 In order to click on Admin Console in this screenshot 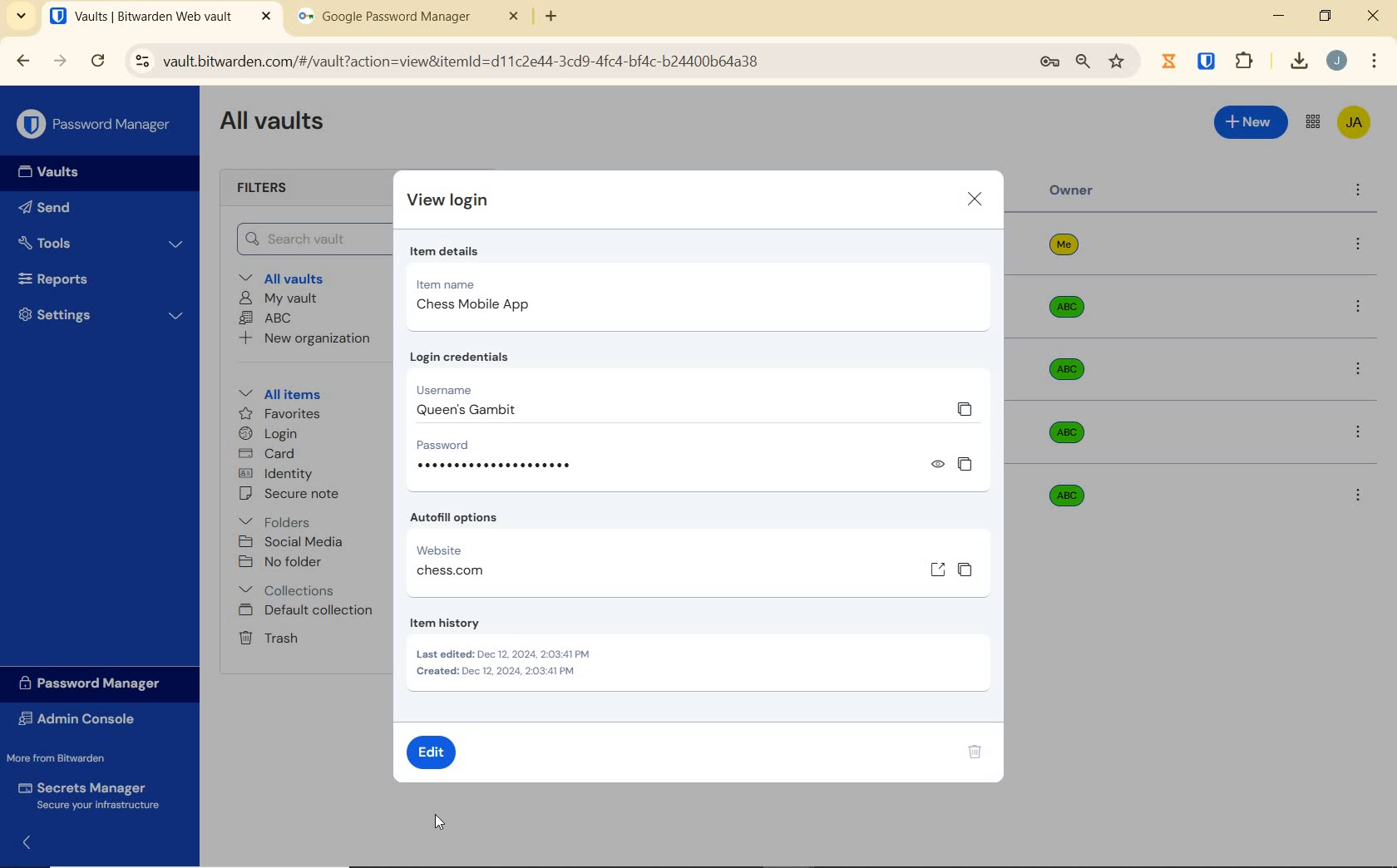, I will do `click(81, 721)`.